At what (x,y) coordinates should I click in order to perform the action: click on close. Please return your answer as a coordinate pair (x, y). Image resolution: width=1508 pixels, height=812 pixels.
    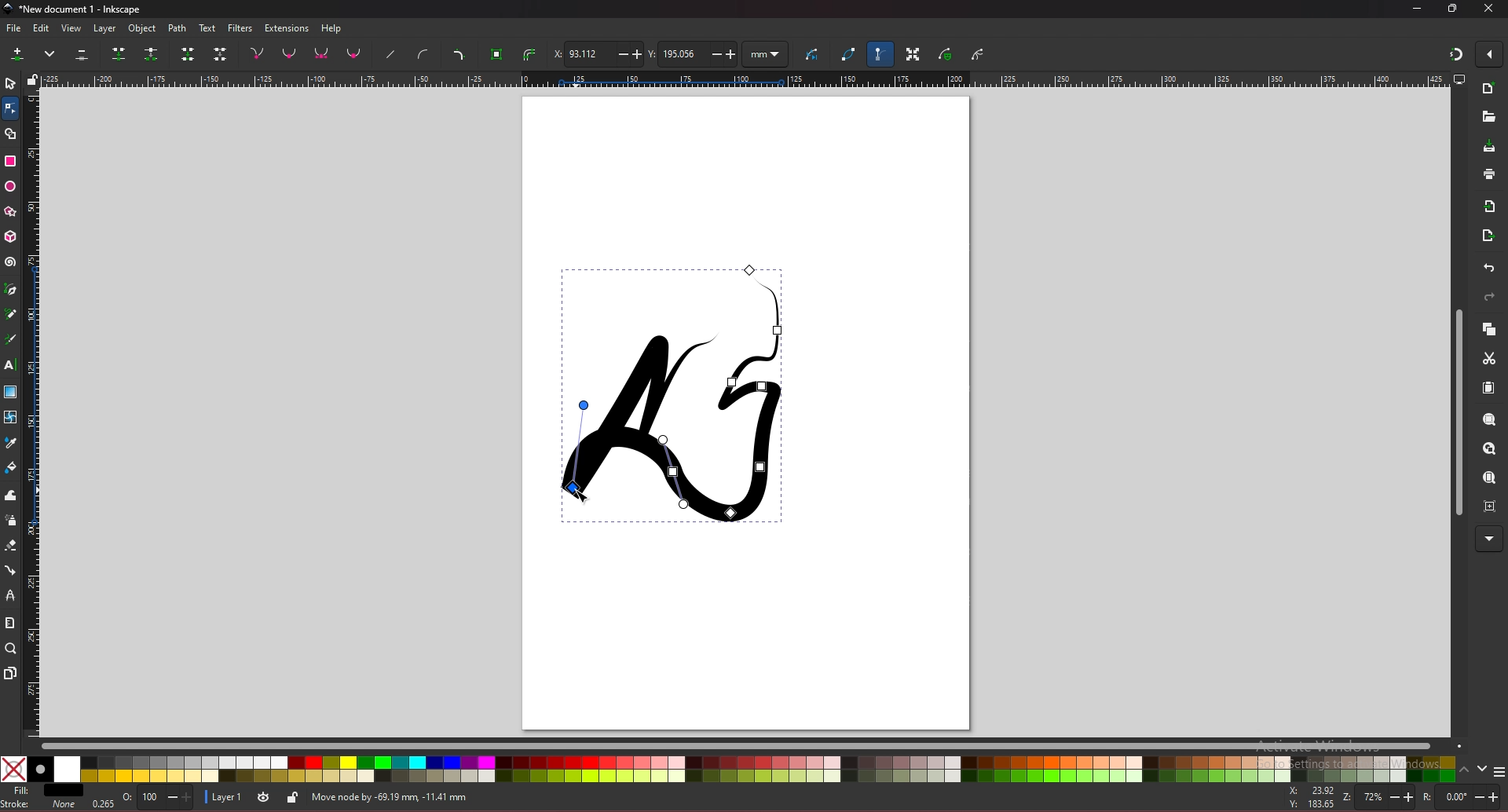
    Looking at the image, I should click on (1489, 9).